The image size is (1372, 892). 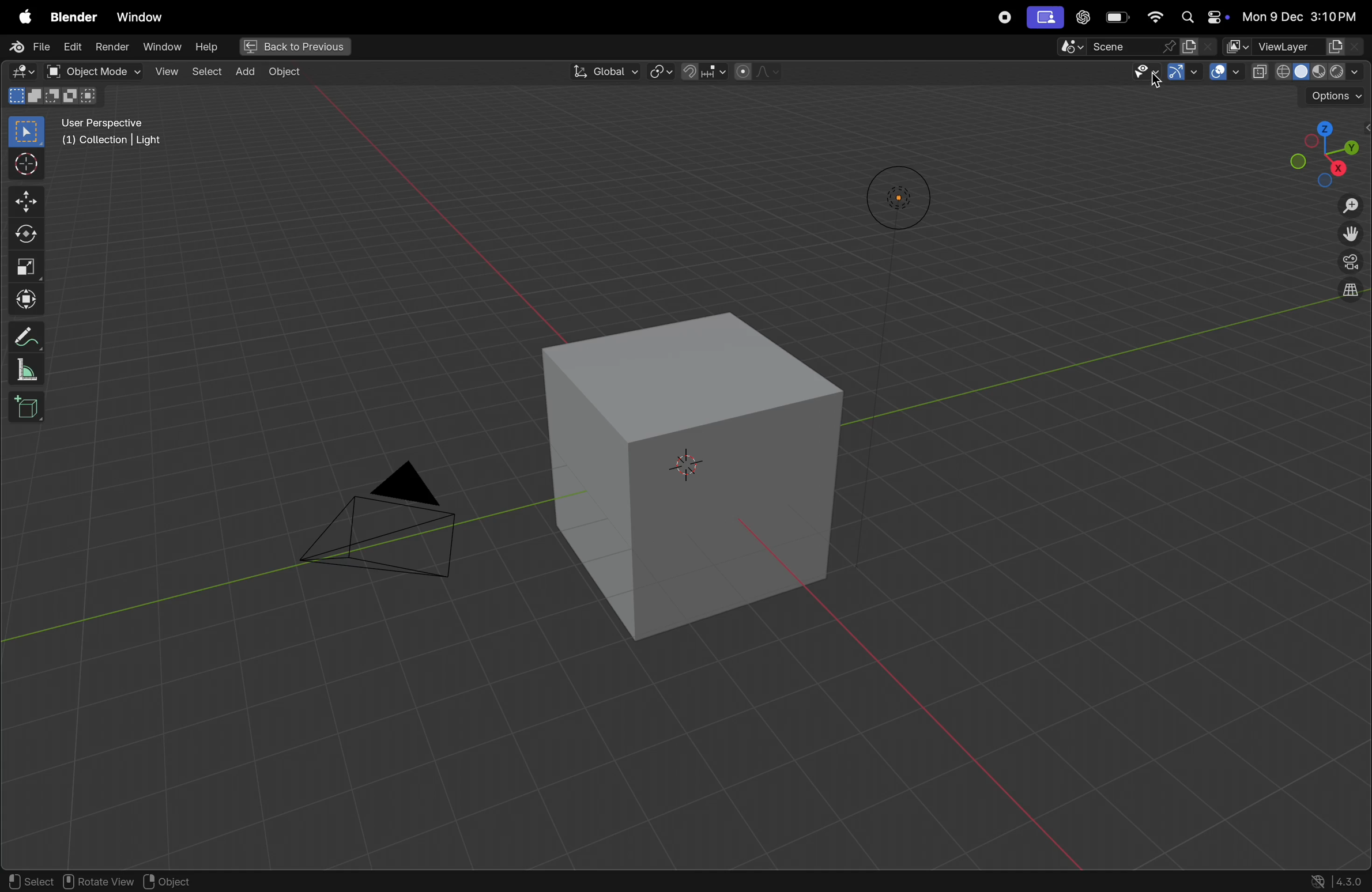 What do you see at coordinates (91, 74) in the screenshot?
I see `` at bounding box center [91, 74].